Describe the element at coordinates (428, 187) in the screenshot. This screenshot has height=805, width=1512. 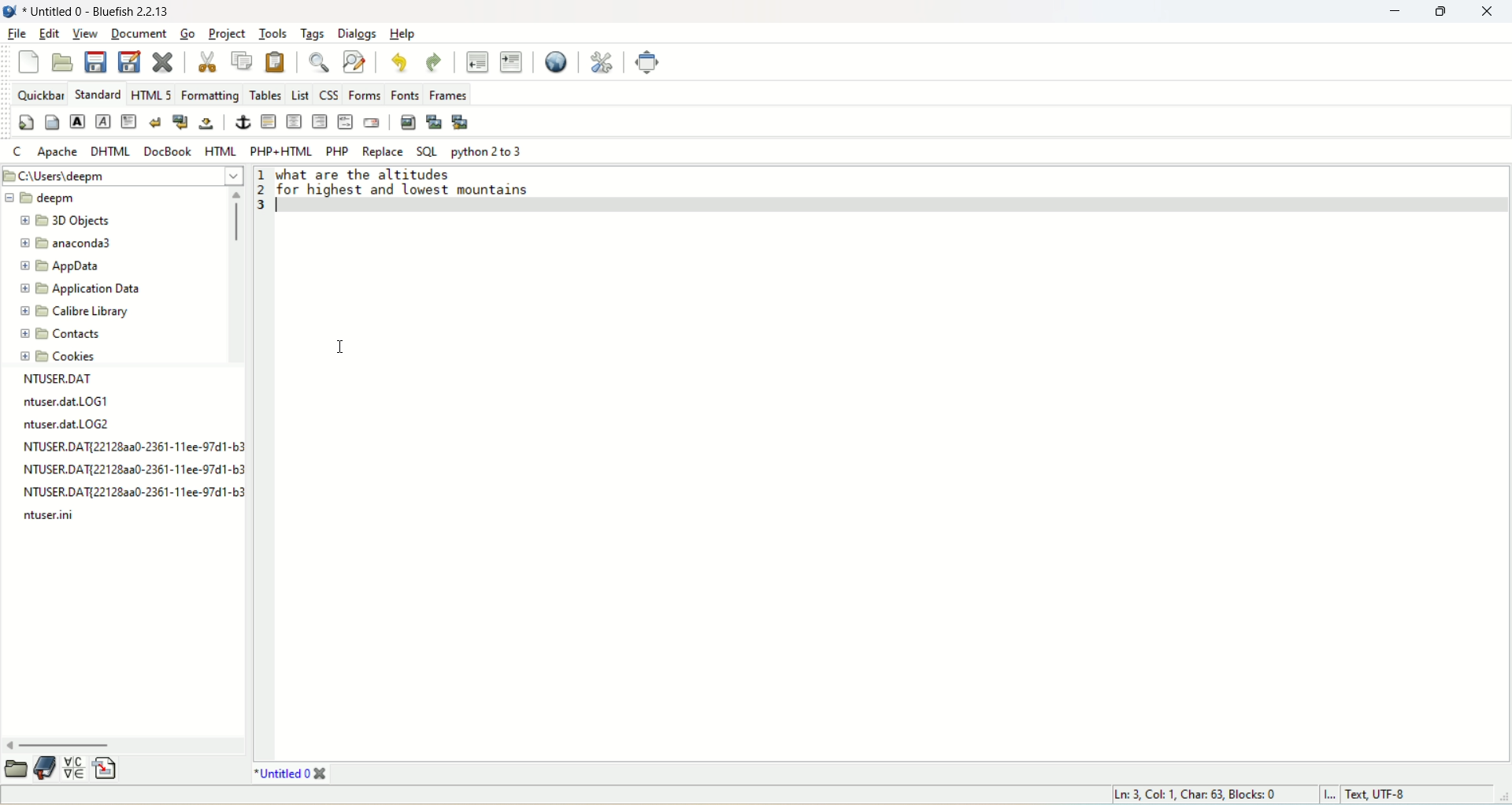
I see `what are the altitudes....,for highest and lowest mountains...` at that location.